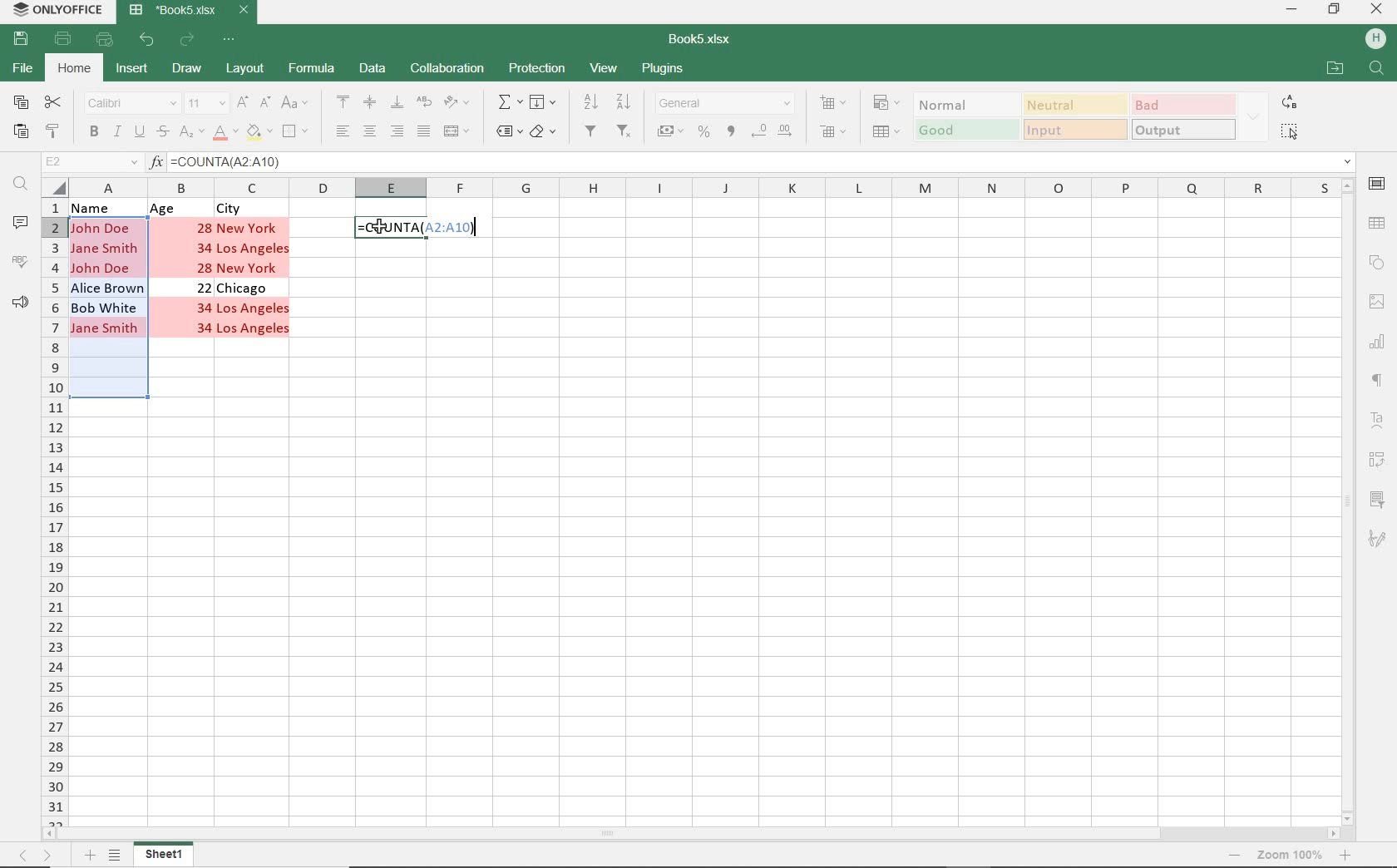 The height and width of the screenshot is (868, 1397). I want to click on SHEET1, so click(165, 856).